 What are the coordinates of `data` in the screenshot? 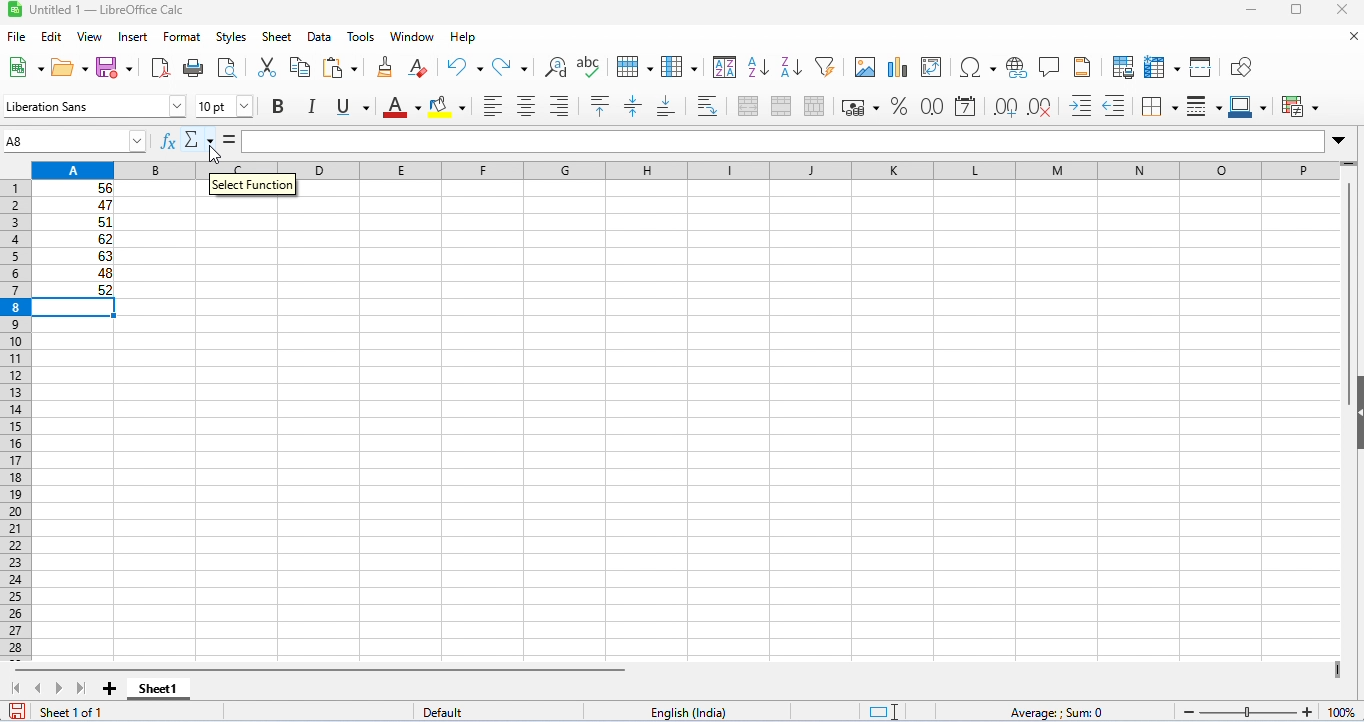 It's located at (321, 37).